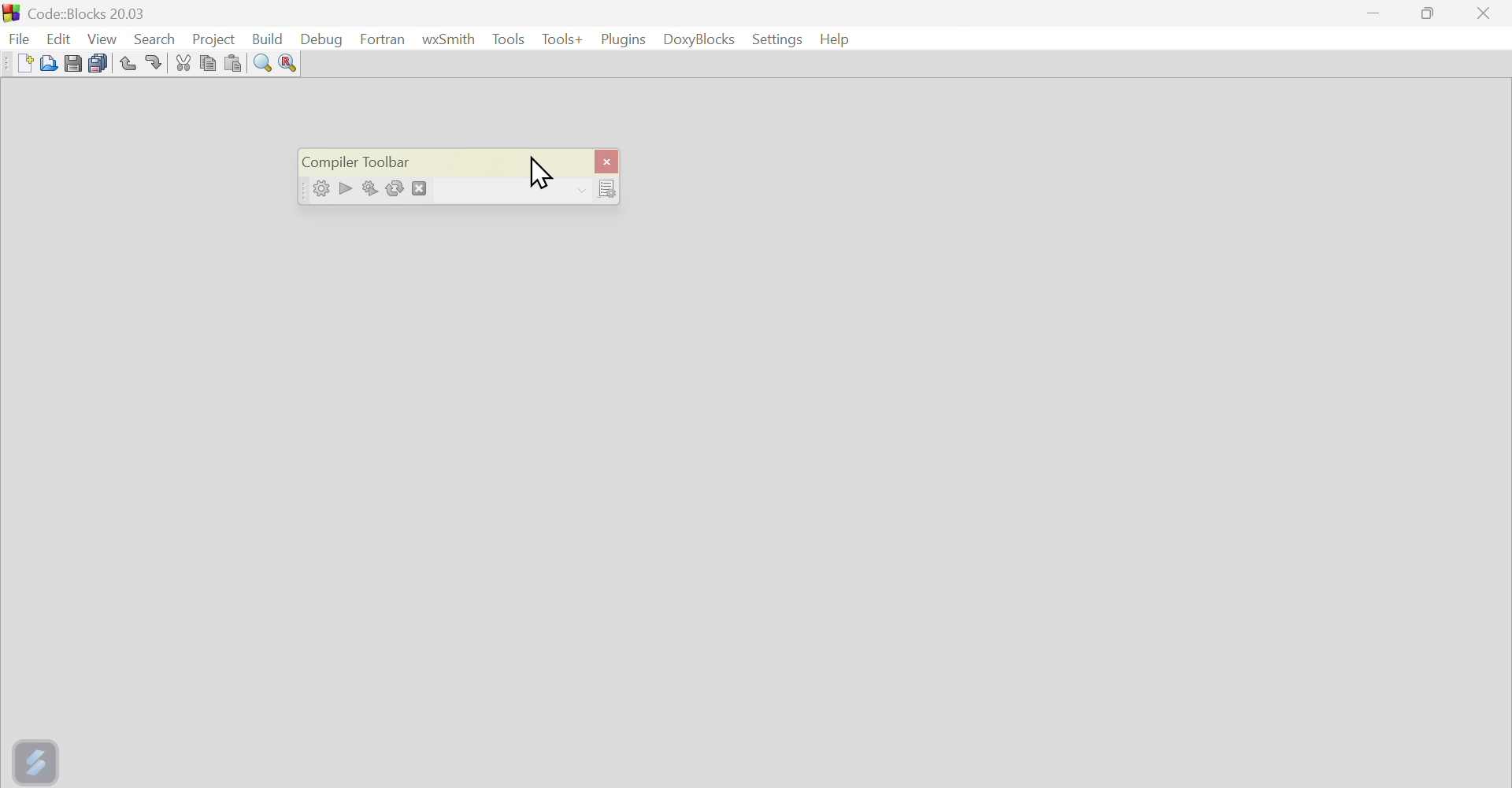 Image resolution: width=1512 pixels, height=788 pixels. I want to click on Save multiple, so click(98, 61).